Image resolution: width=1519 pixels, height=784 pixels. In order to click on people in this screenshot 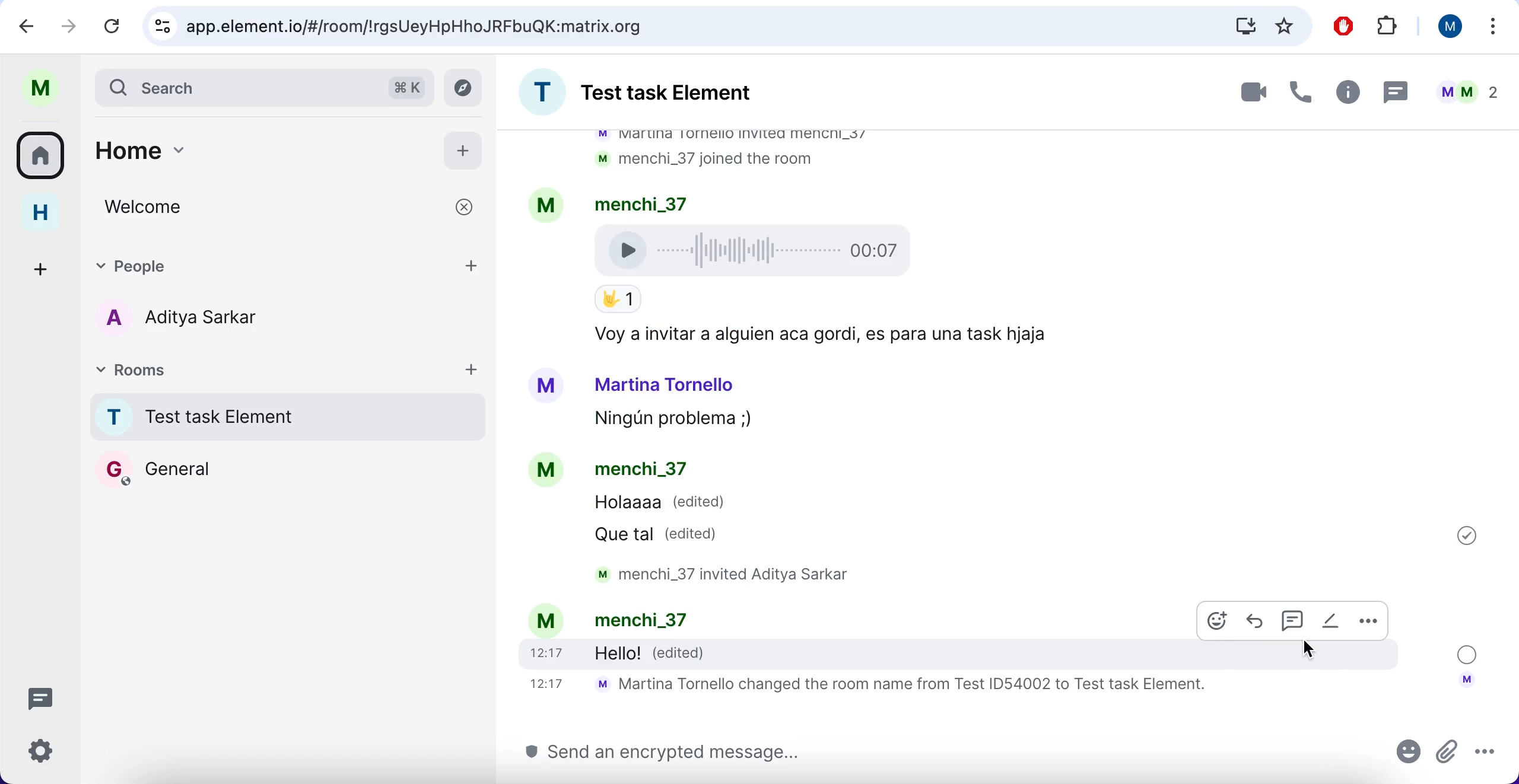, I will do `click(263, 264)`.